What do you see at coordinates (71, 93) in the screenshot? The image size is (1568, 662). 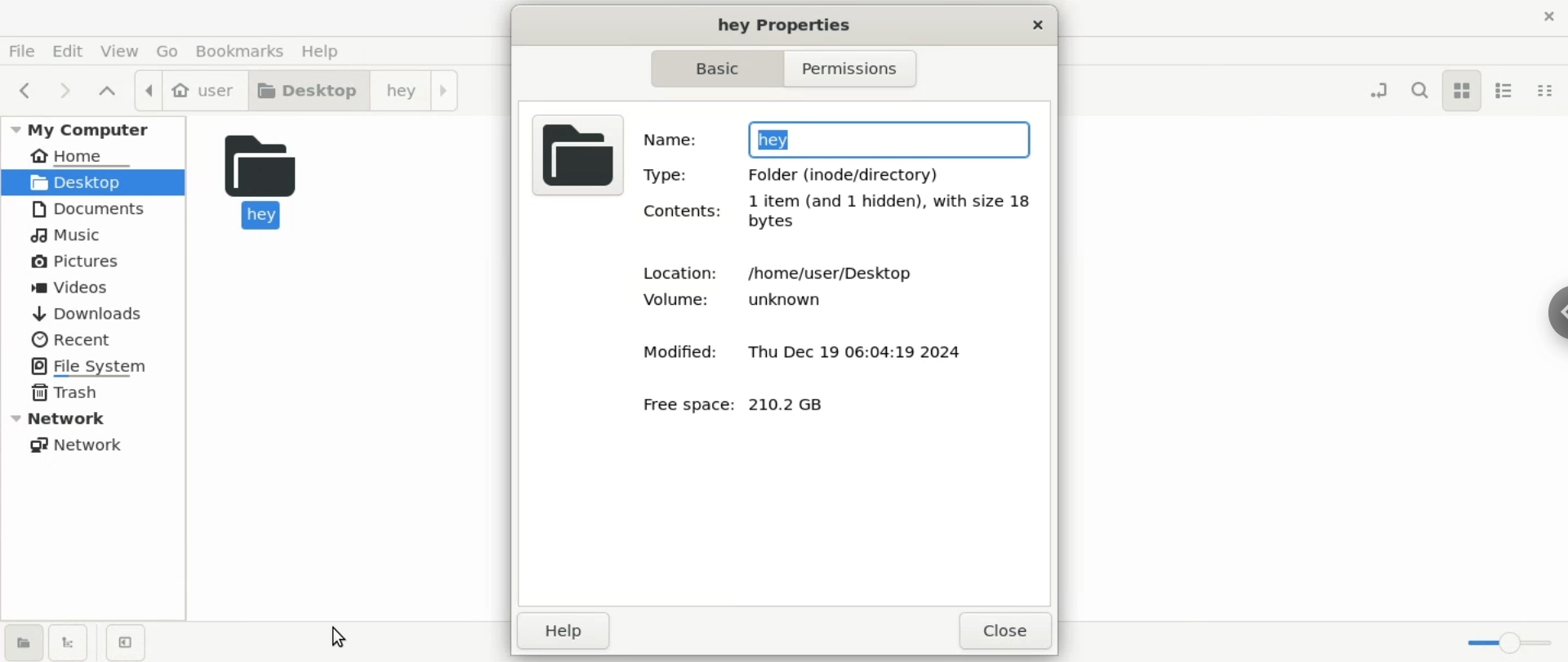 I see `next` at bounding box center [71, 93].